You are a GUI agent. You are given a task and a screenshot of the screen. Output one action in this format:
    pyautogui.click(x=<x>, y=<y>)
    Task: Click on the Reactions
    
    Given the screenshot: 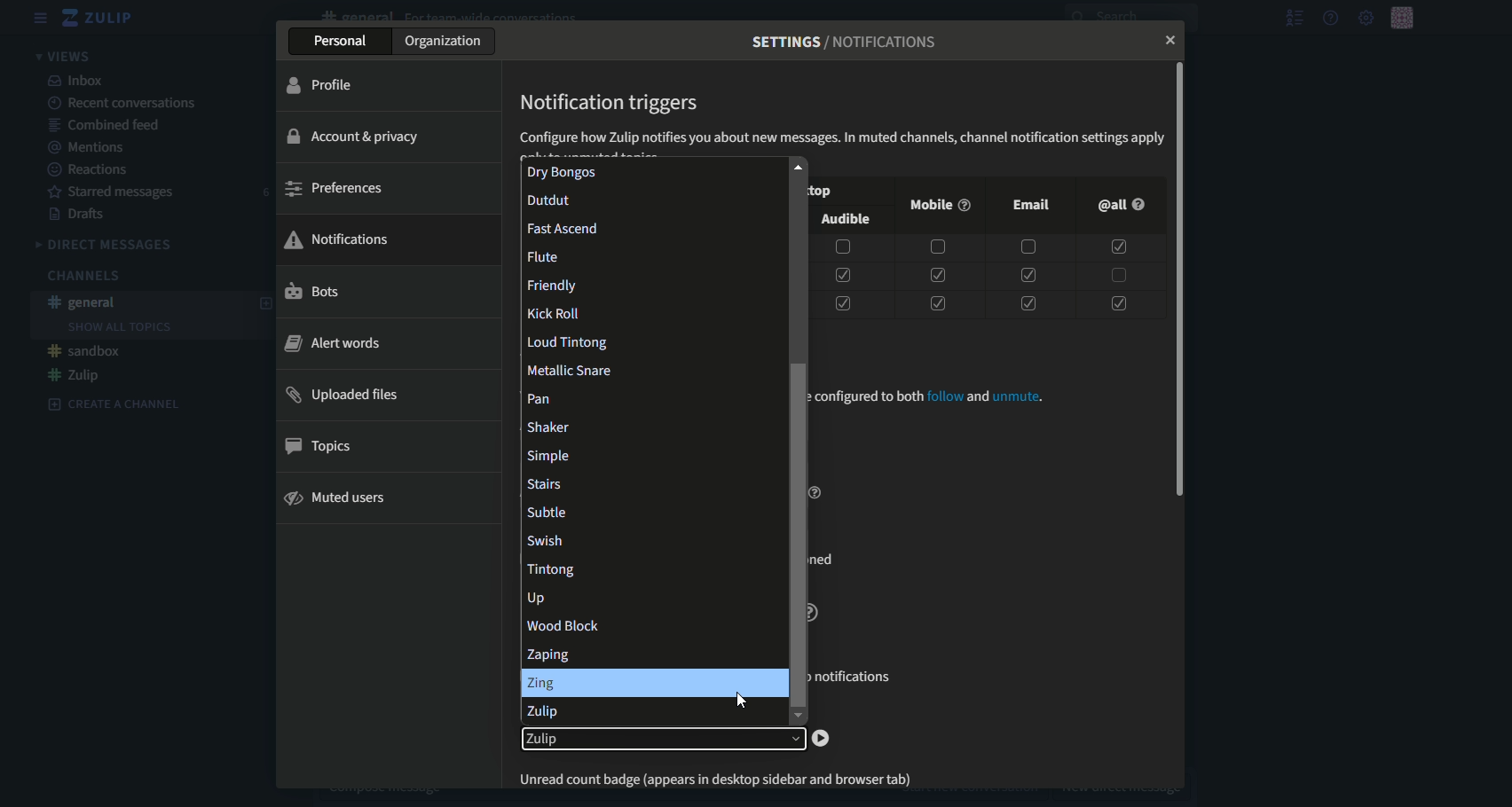 What is the action you would take?
    pyautogui.click(x=90, y=169)
    